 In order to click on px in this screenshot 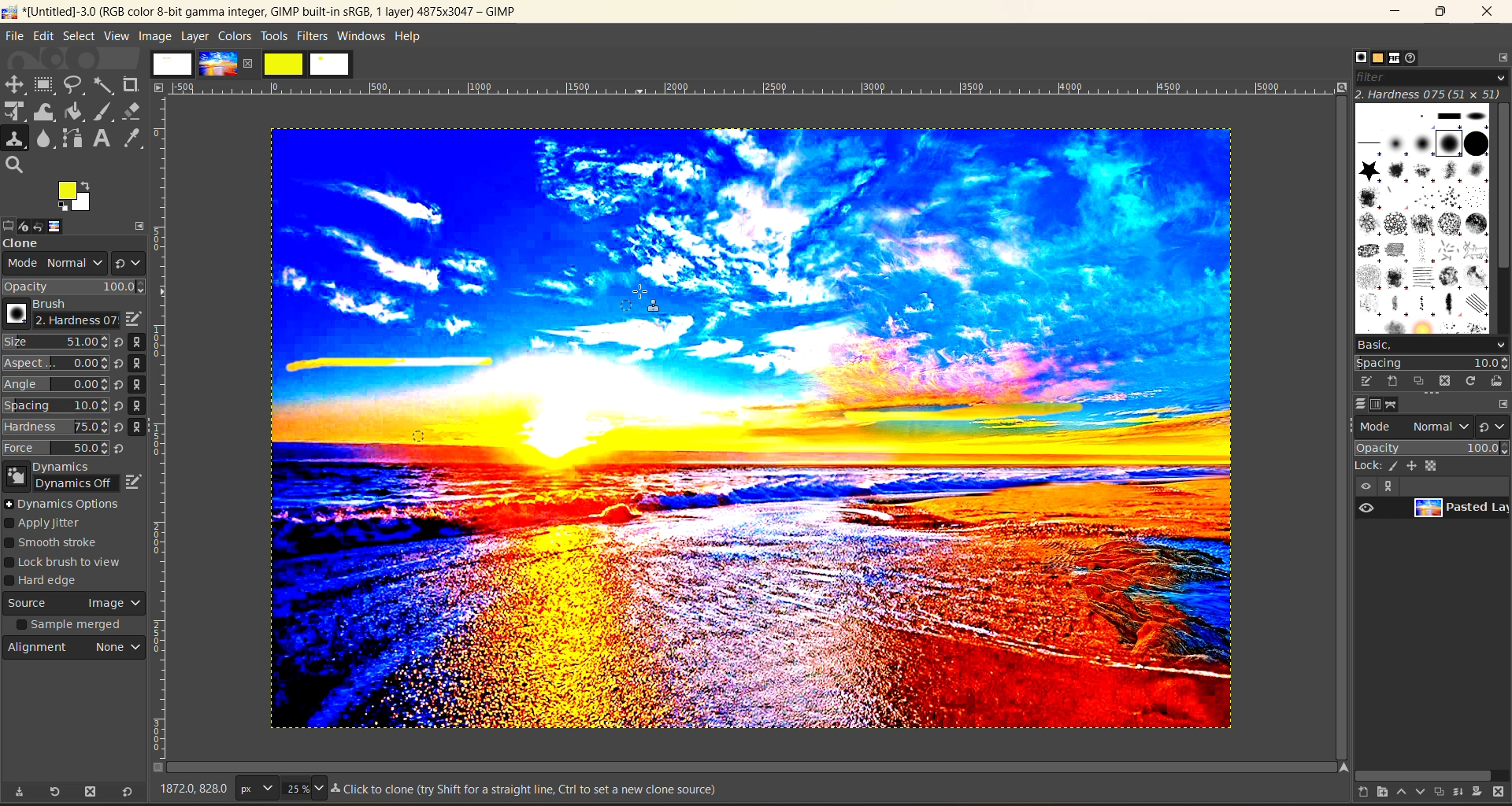, I will do `click(254, 788)`.